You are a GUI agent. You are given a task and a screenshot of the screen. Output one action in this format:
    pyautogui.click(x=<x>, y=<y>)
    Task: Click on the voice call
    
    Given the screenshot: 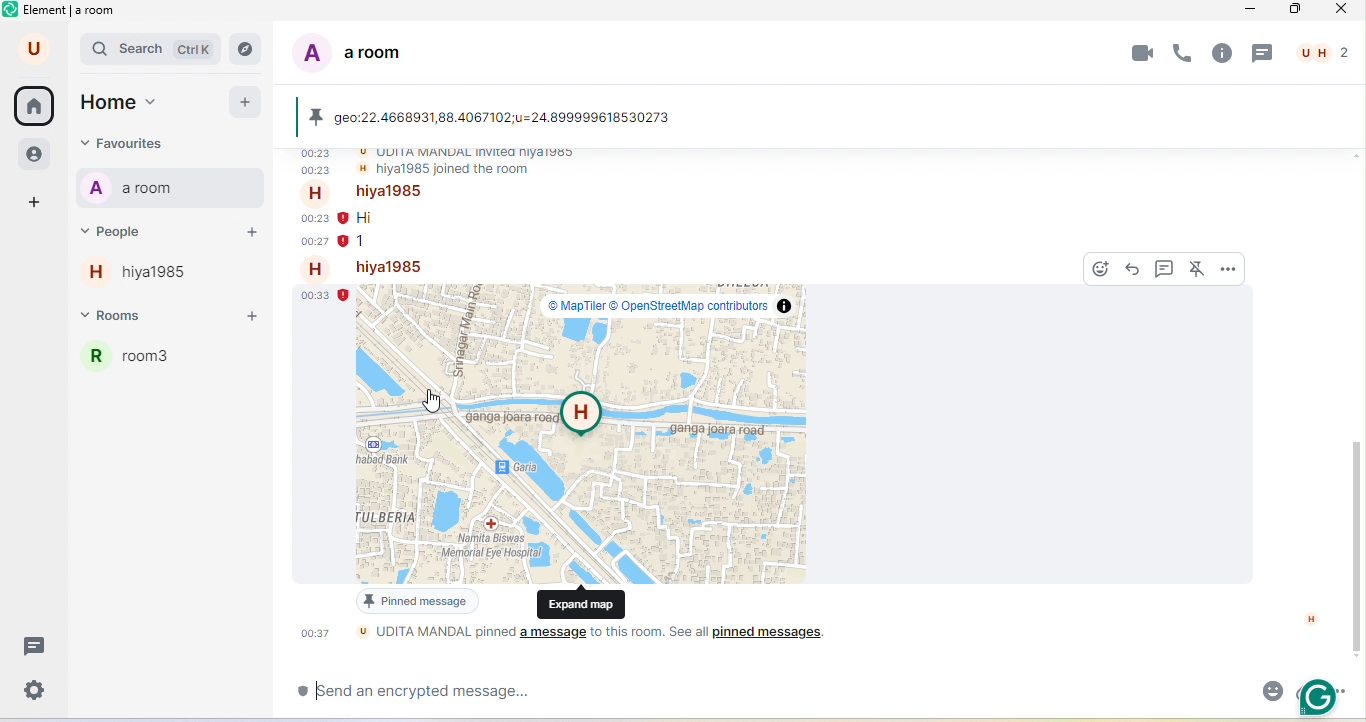 What is the action you would take?
    pyautogui.click(x=1185, y=56)
    